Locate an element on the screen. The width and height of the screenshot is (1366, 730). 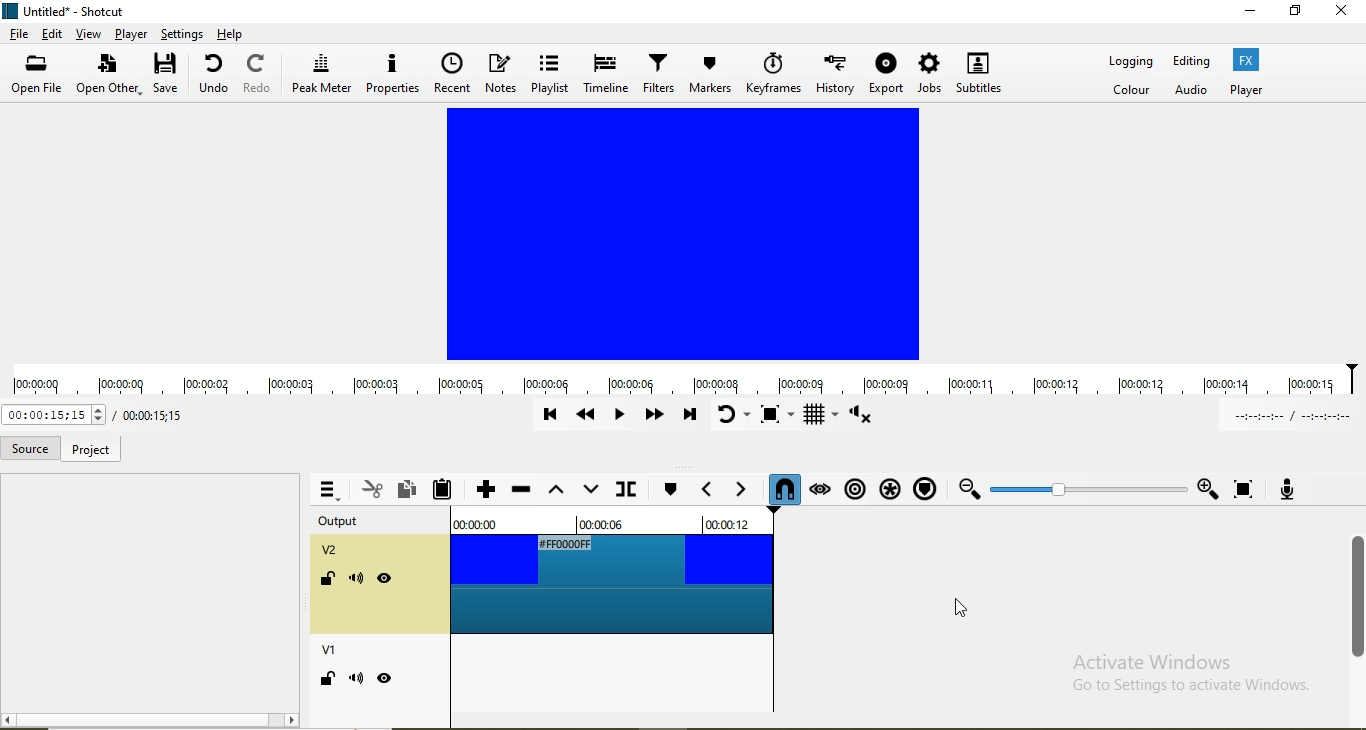
Color is located at coordinates (1133, 91).